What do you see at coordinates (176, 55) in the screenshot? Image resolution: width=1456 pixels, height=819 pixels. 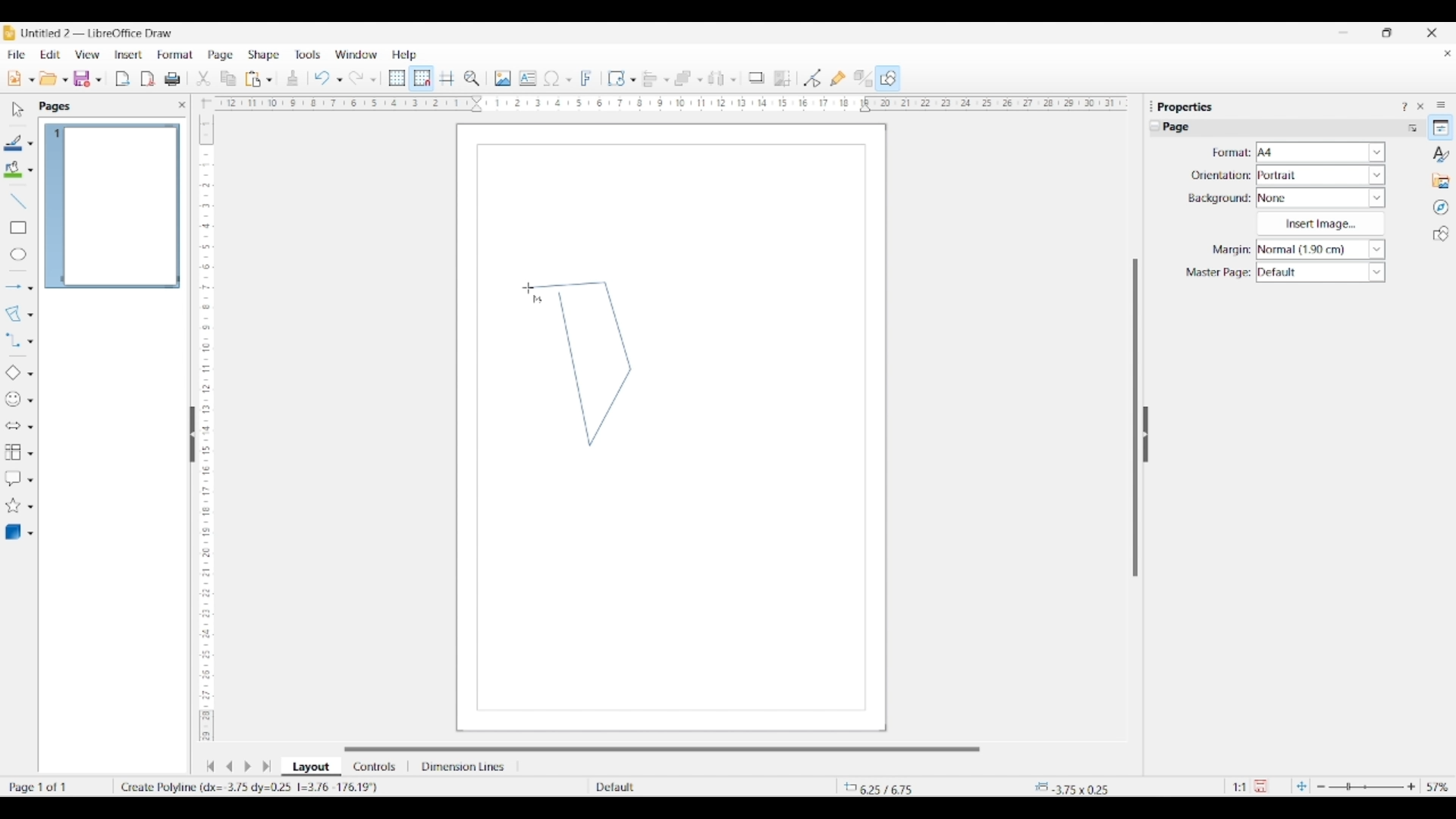 I see `Format` at bounding box center [176, 55].